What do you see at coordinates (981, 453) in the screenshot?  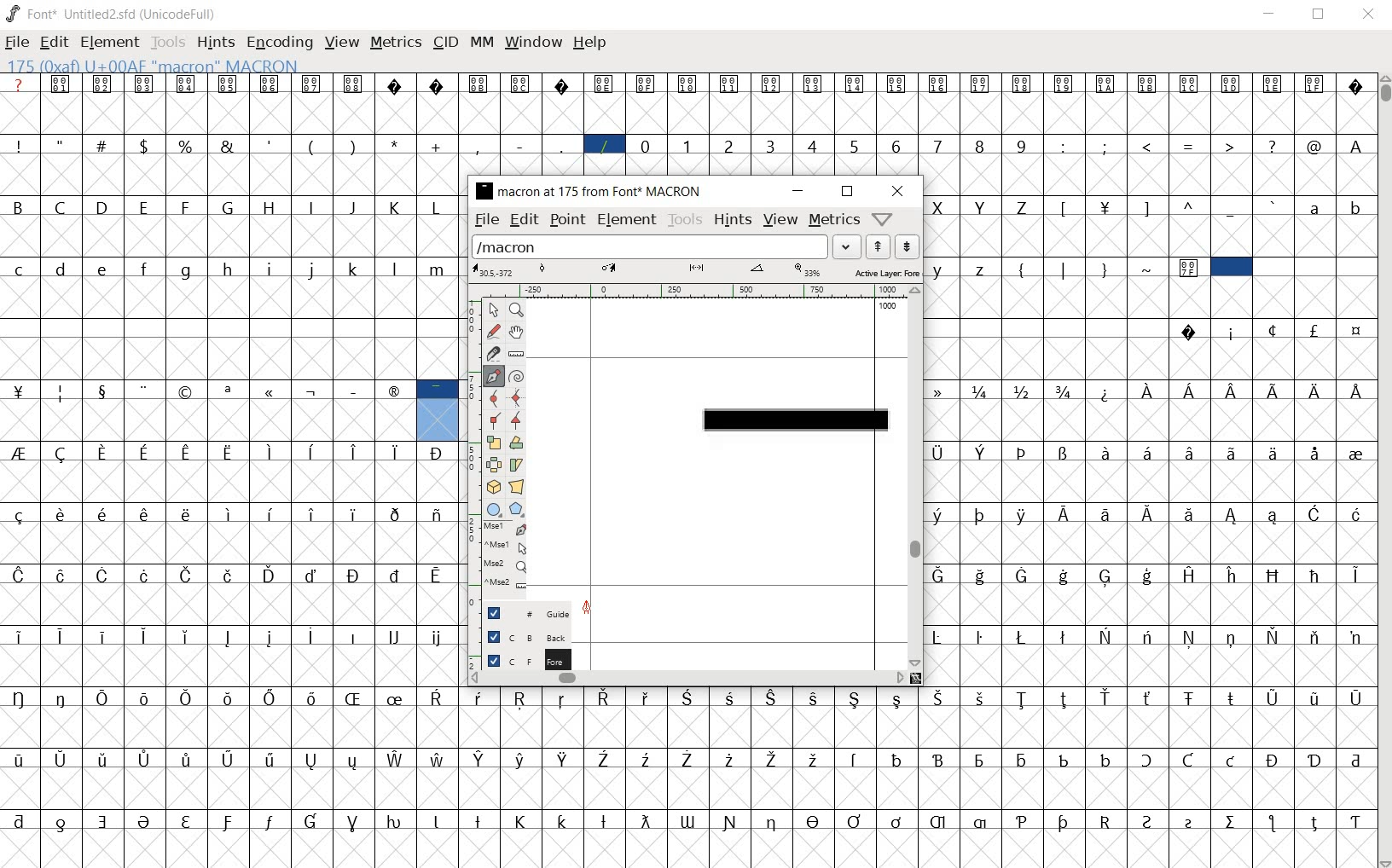 I see `Symbol` at bounding box center [981, 453].